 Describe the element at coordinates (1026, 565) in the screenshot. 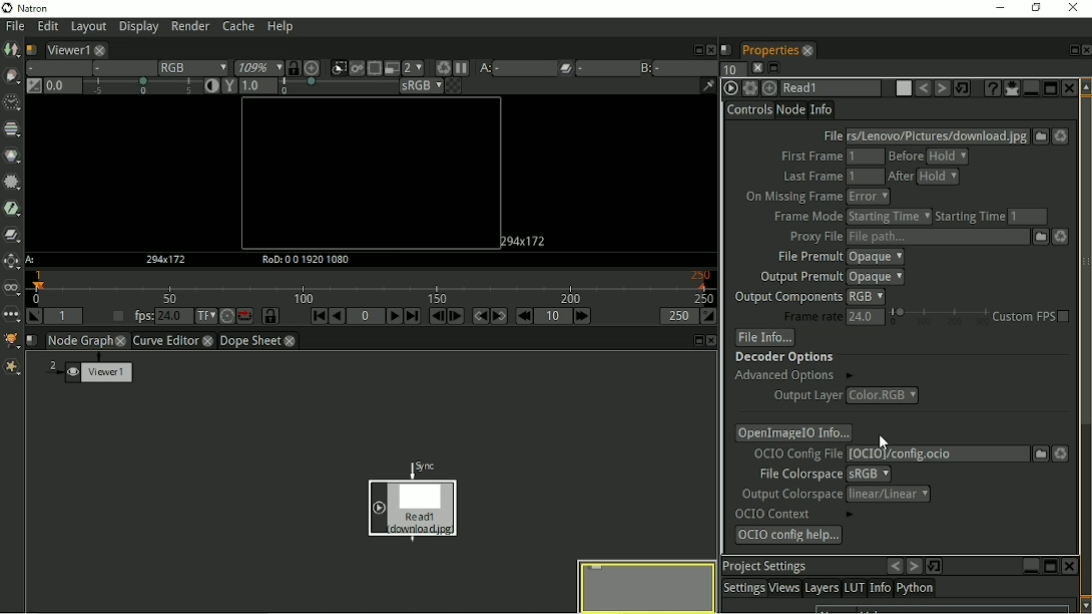

I see `minimize` at that location.